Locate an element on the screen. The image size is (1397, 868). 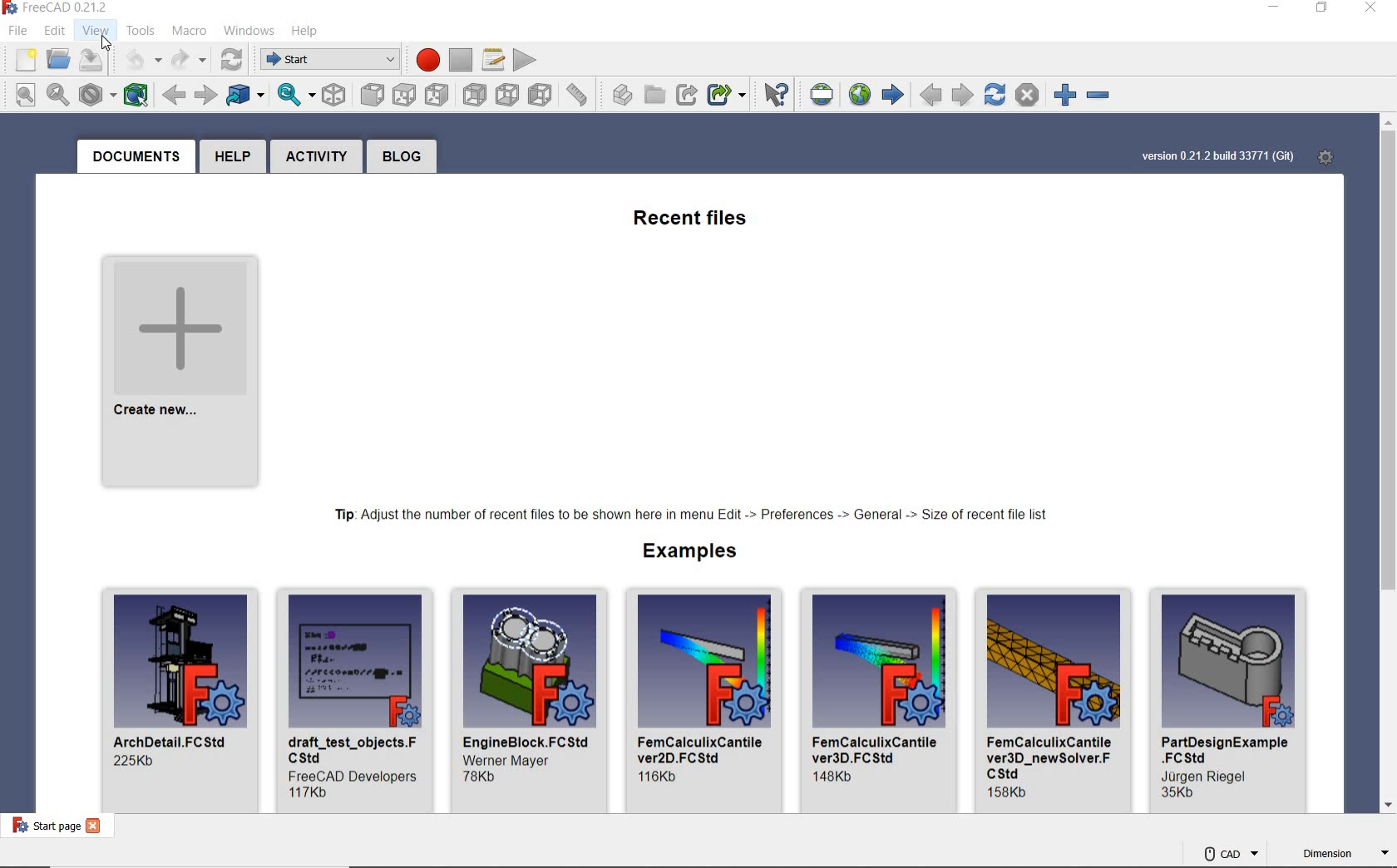
measure distance is located at coordinates (577, 94).